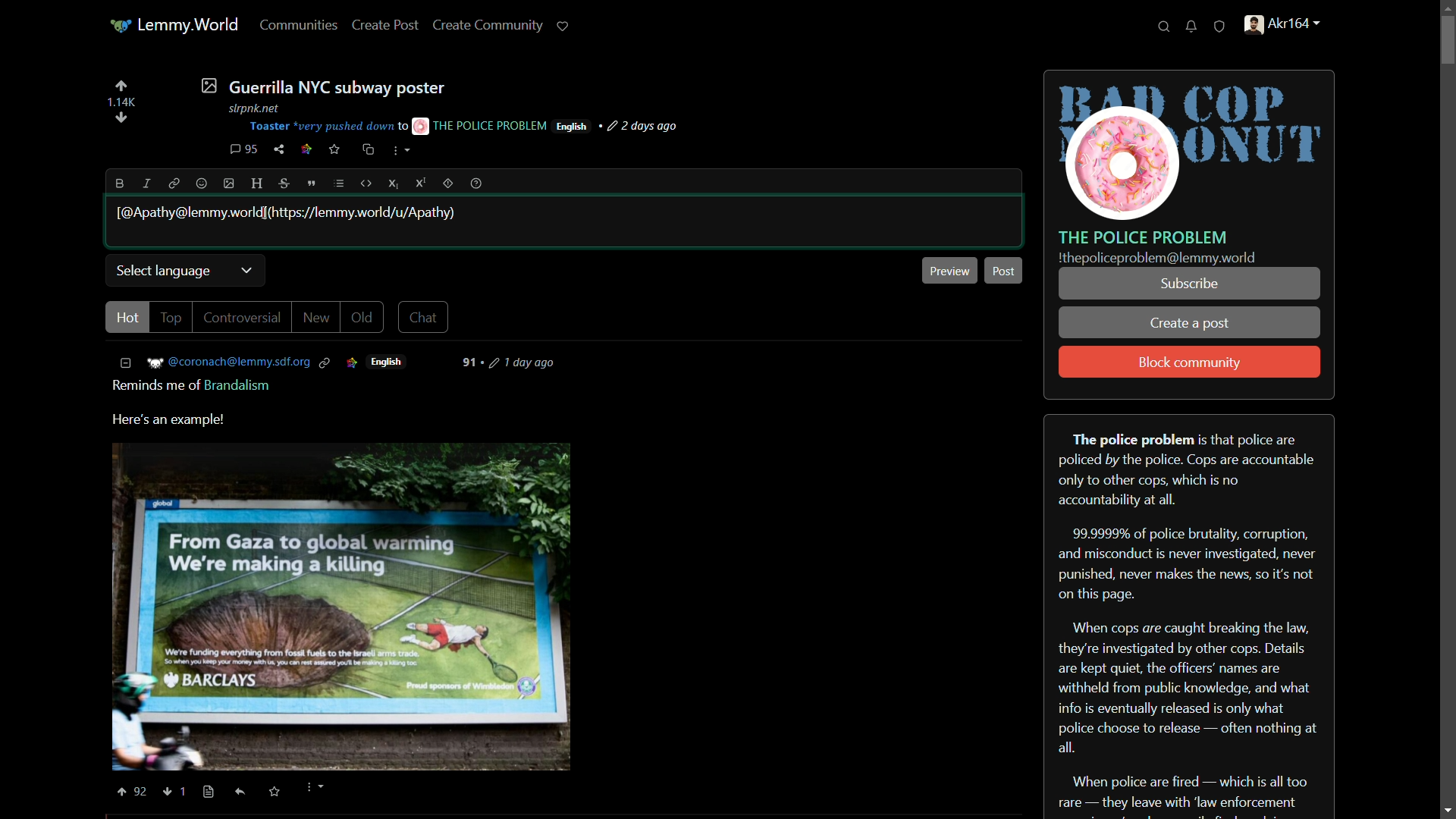 Image resolution: width=1456 pixels, height=819 pixels. I want to click on unread reports, so click(1220, 27).